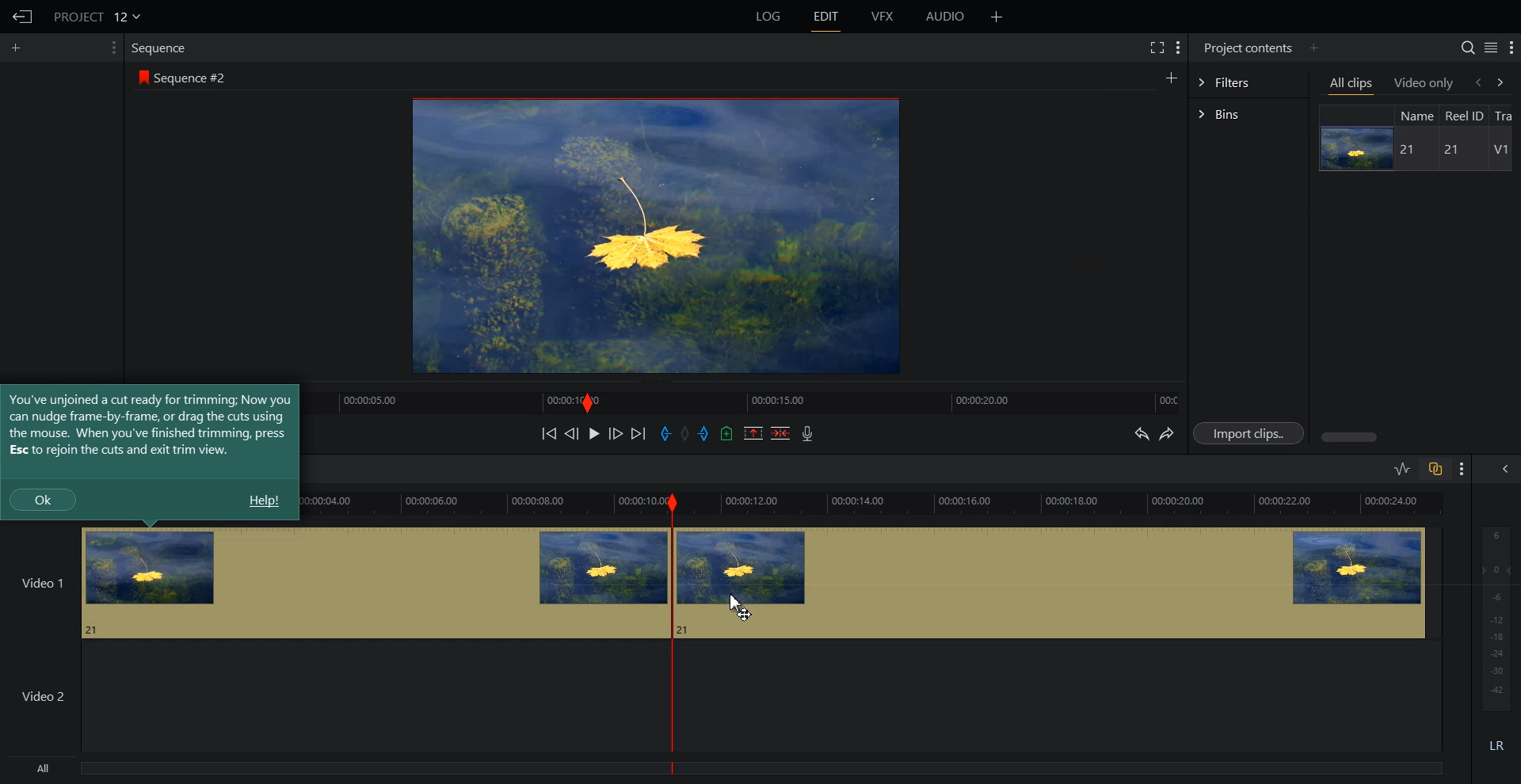  I want to click on Nudge one frame back, so click(572, 433).